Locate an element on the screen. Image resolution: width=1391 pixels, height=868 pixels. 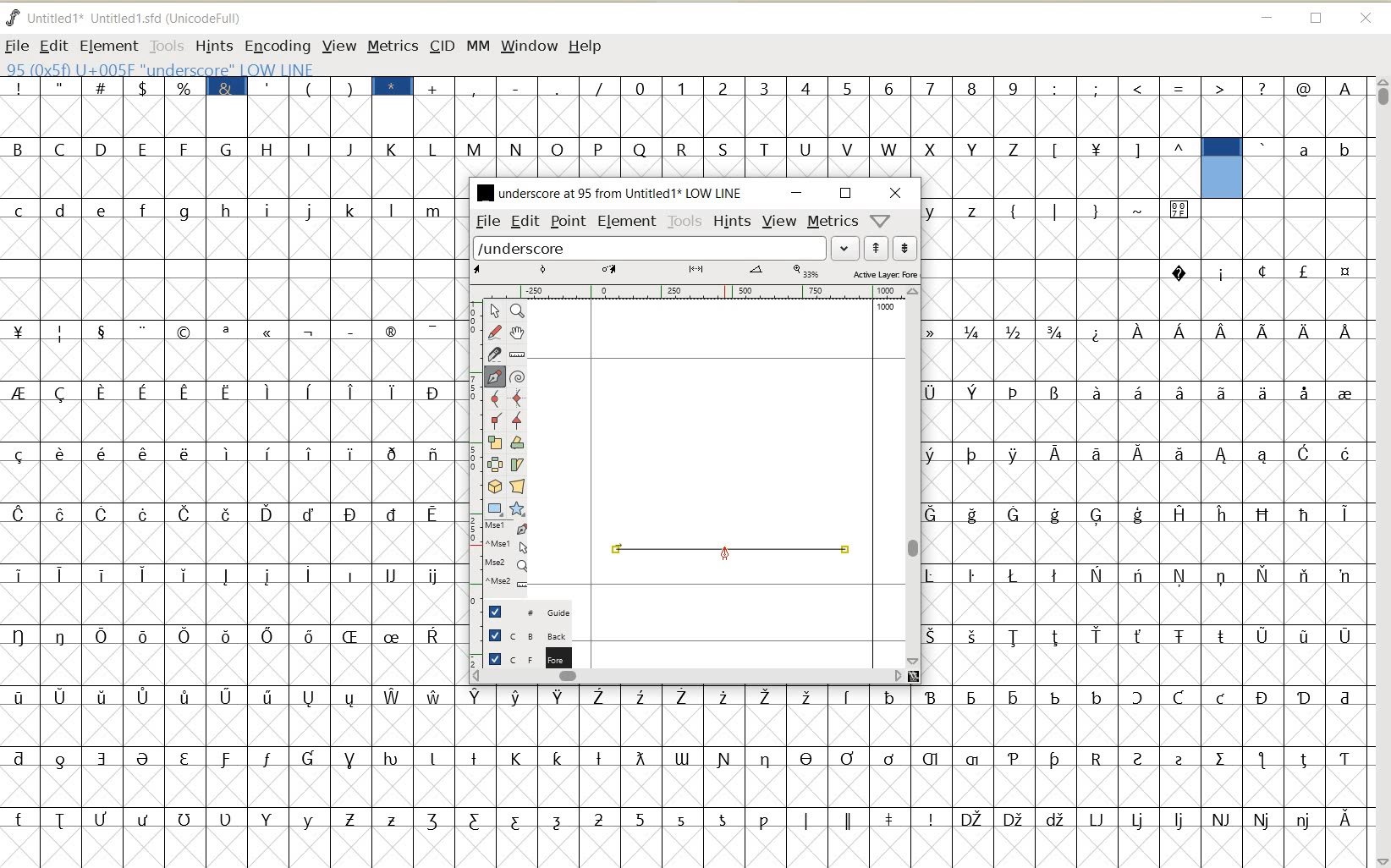
polygon or star is located at coordinates (516, 508).